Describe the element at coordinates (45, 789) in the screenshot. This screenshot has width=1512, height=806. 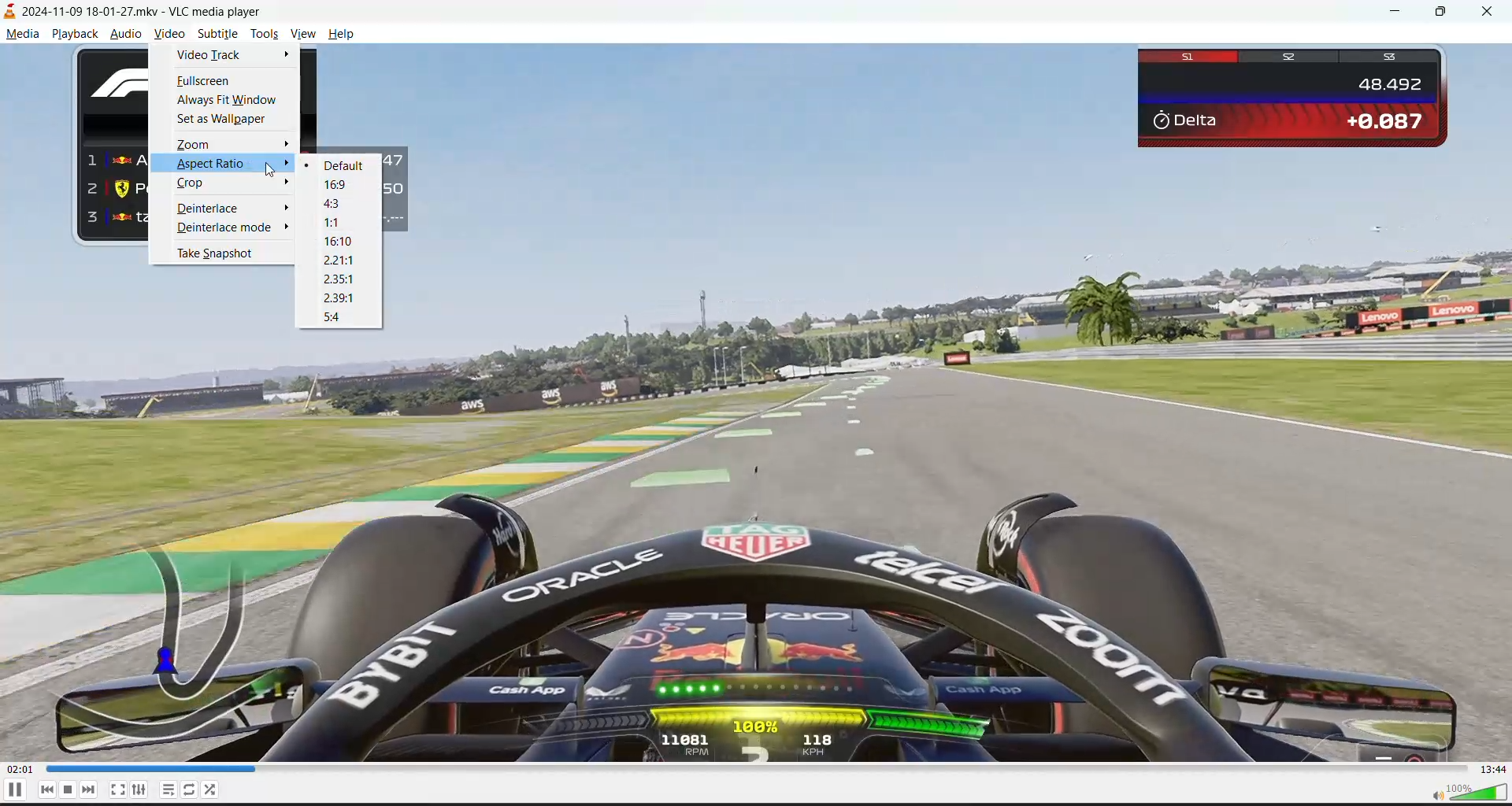
I see `previous` at that location.